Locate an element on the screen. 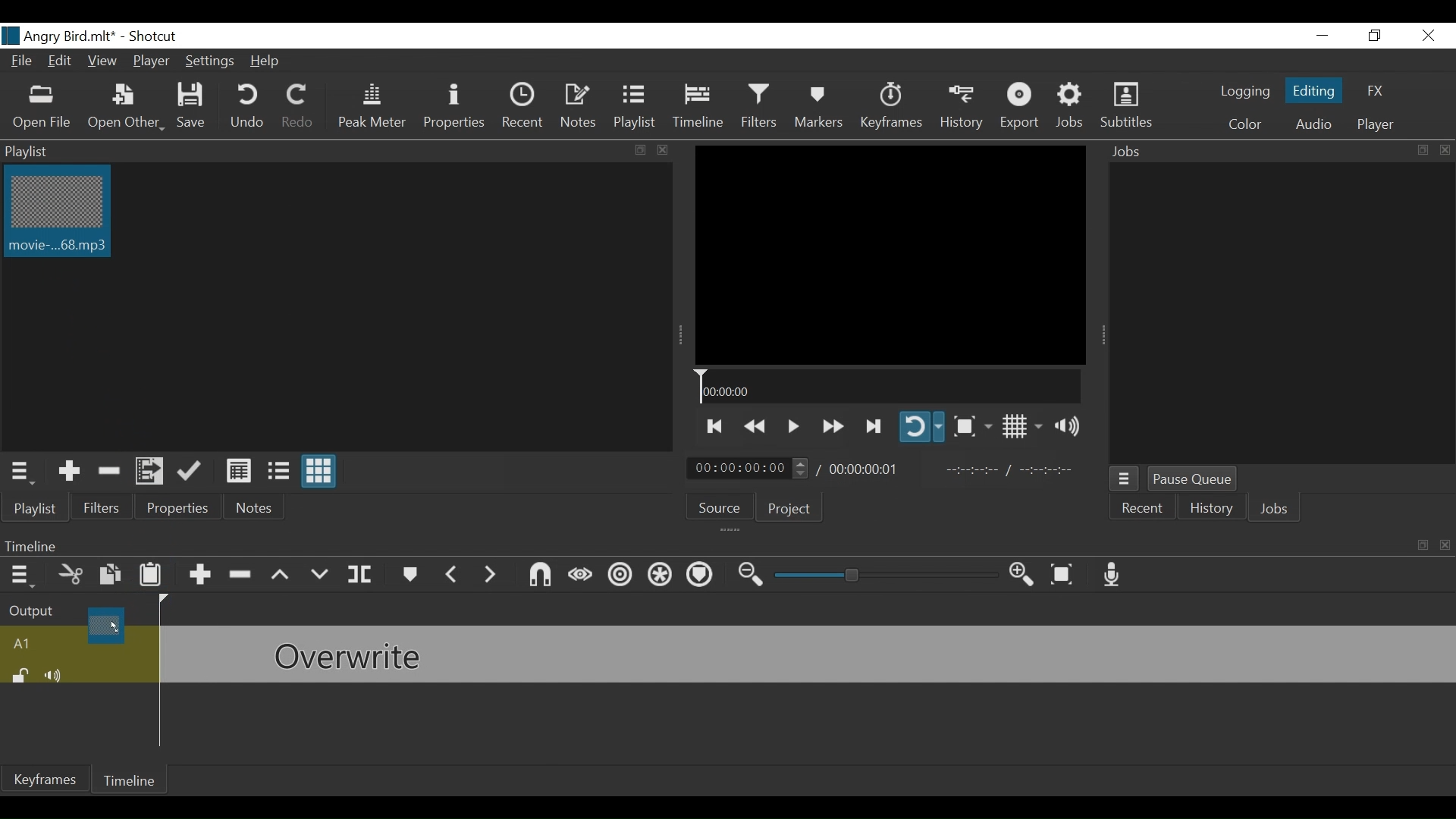 The width and height of the screenshot is (1456, 819). Toggle display grid on player is located at coordinates (1021, 428).